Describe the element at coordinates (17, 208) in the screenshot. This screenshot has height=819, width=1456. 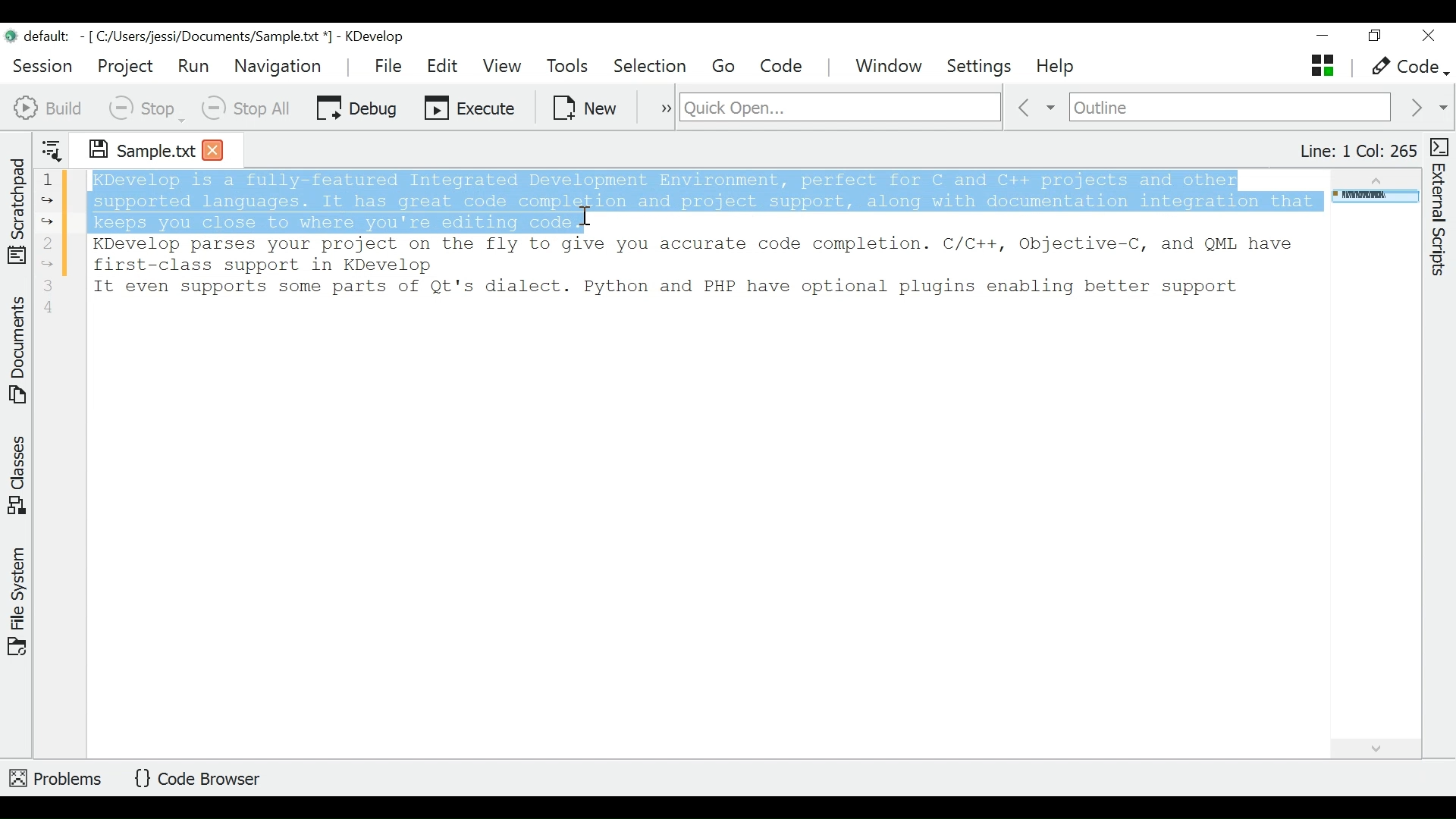
I see `Scratchpad` at that location.